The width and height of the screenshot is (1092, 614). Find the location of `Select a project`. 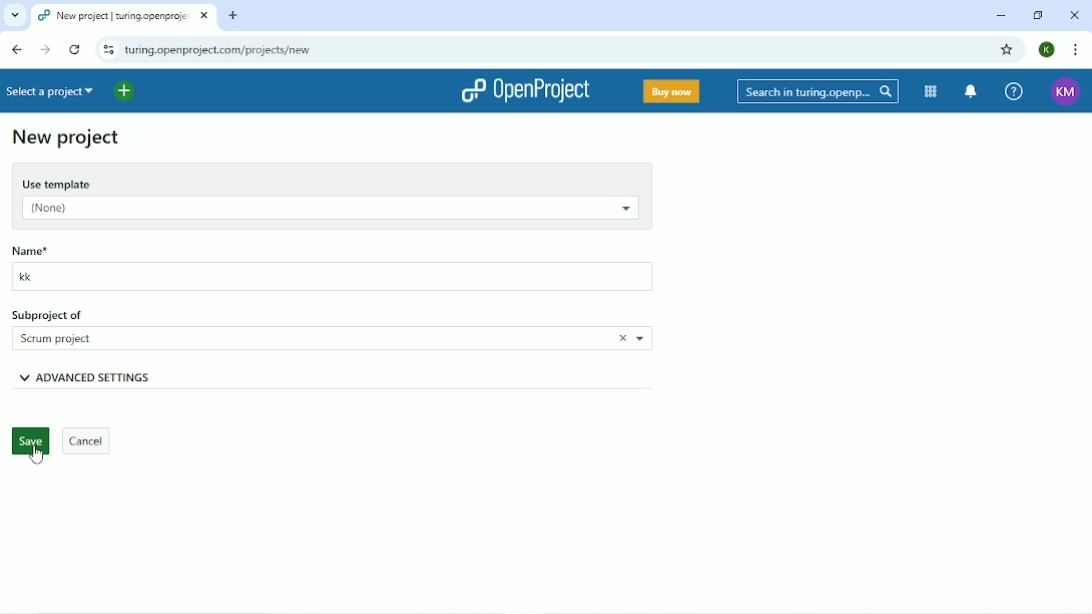

Select a project is located at coordinates (53, 91).